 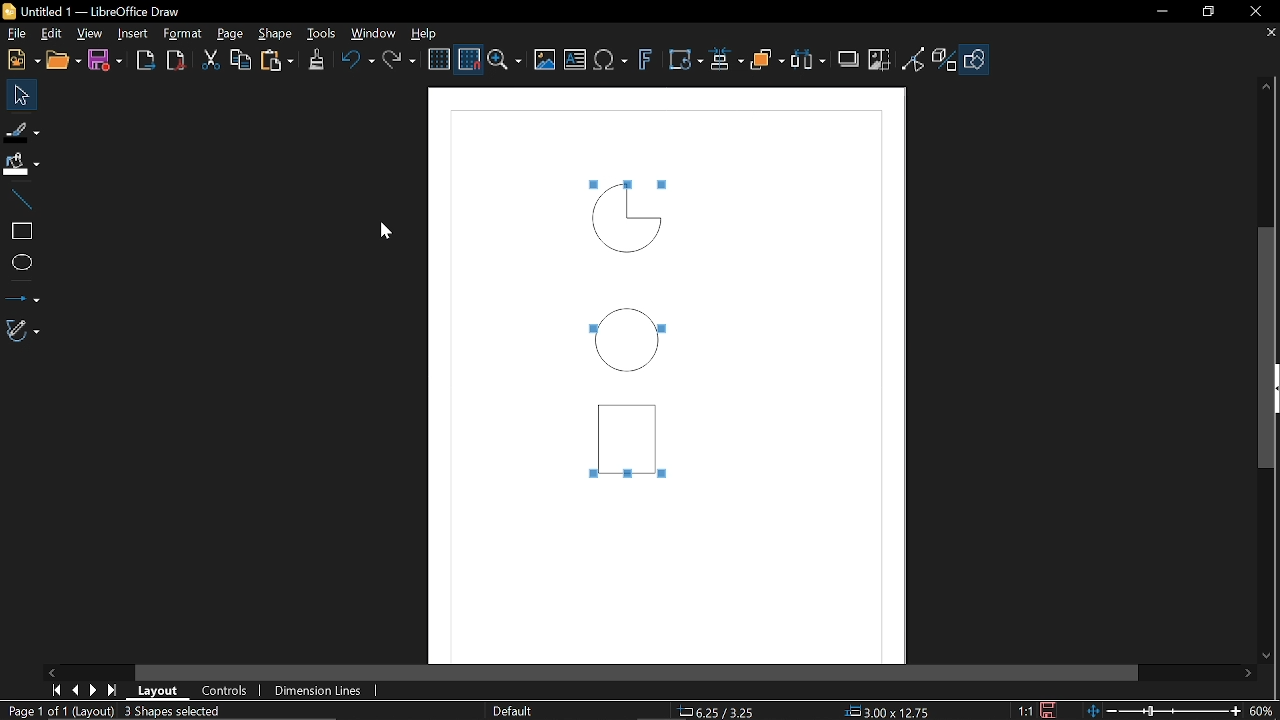 I want to click on Insert image, so click(x=545, y=60).